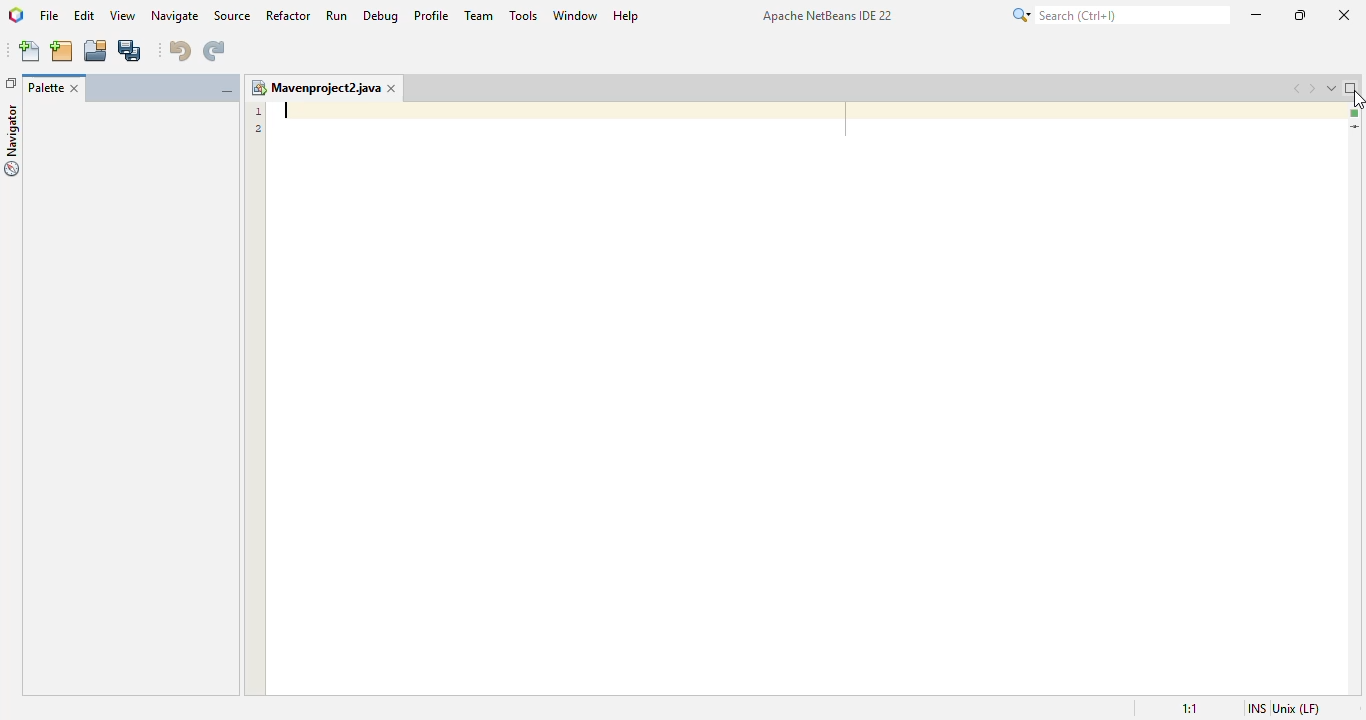  Describe the element at coordinates (215, 51) in the screenshot. I see `redo` at that location.